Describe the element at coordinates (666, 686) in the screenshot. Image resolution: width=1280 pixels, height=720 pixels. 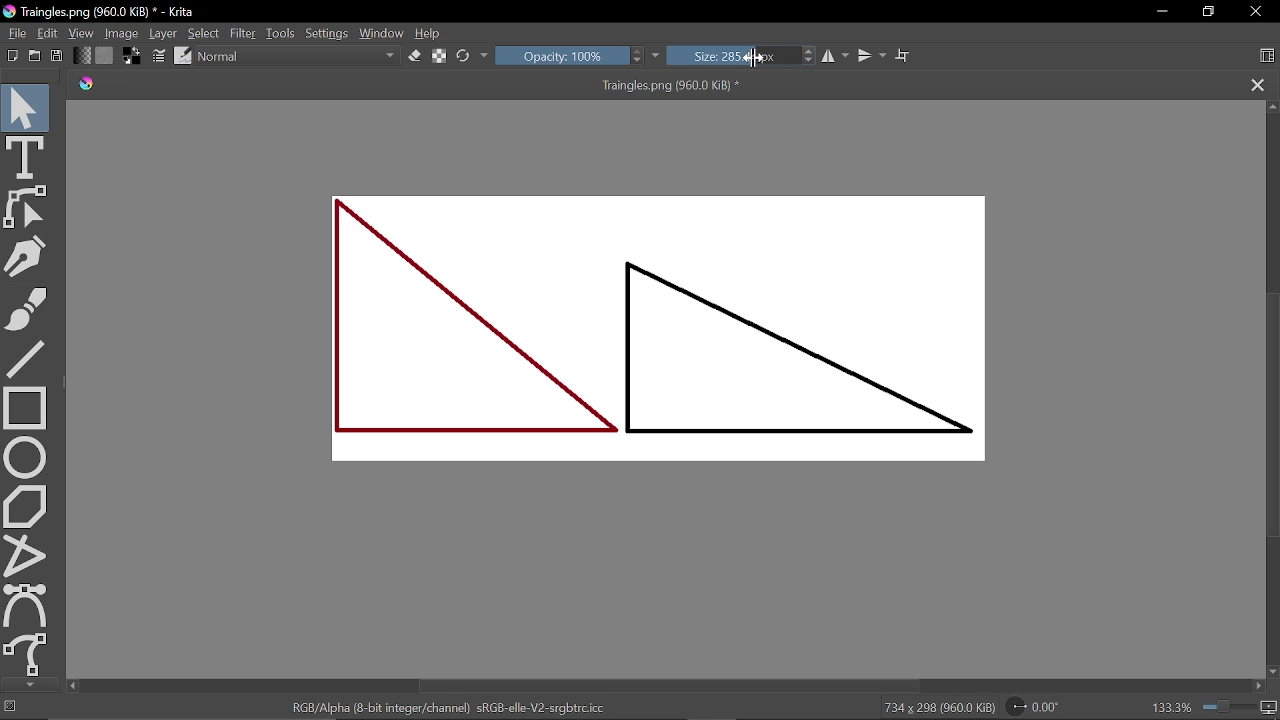
I see `Horizontal scrollbar` at that location.